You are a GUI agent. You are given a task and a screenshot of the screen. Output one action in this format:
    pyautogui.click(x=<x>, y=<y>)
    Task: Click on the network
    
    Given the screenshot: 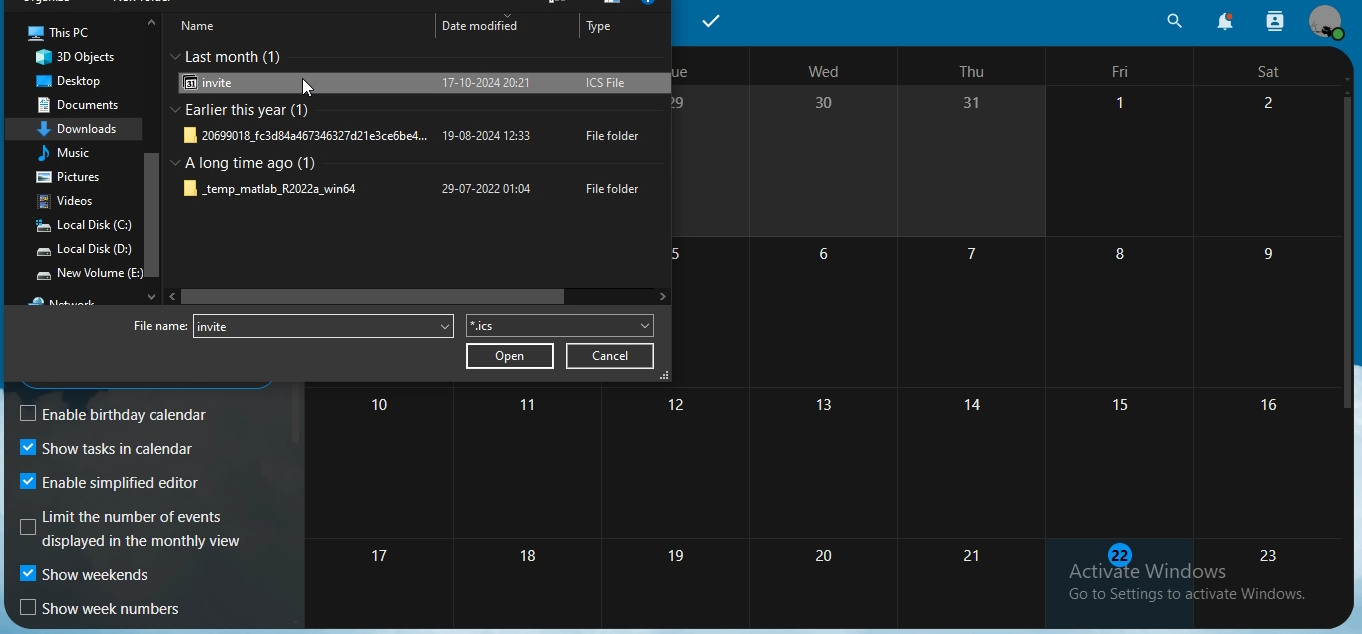 What is the action you would take?
    pyautogui.click(x=72, y=299)
    